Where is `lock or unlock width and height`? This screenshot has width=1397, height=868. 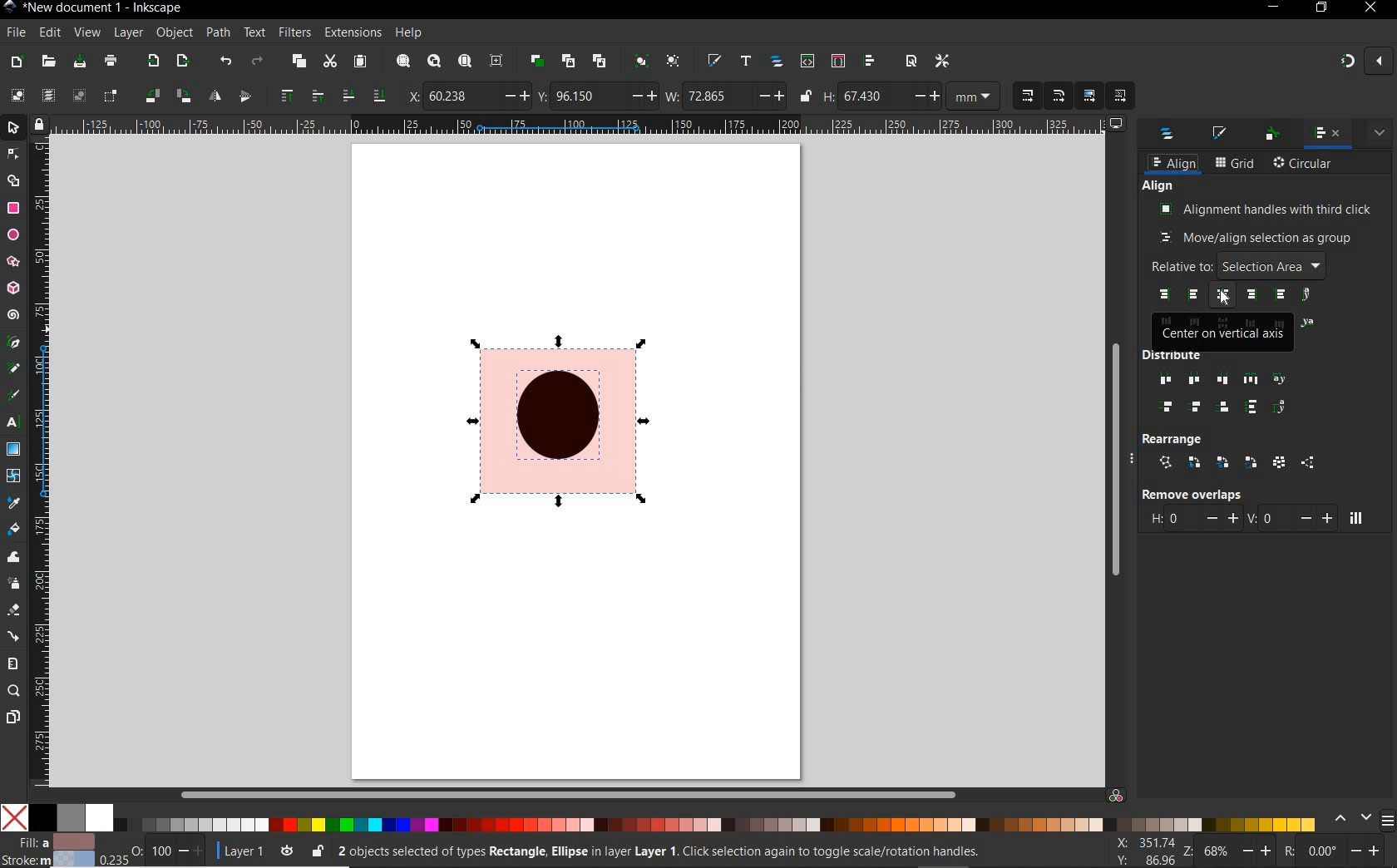 lock or unlock width and height is located at coordinates (807, 95).